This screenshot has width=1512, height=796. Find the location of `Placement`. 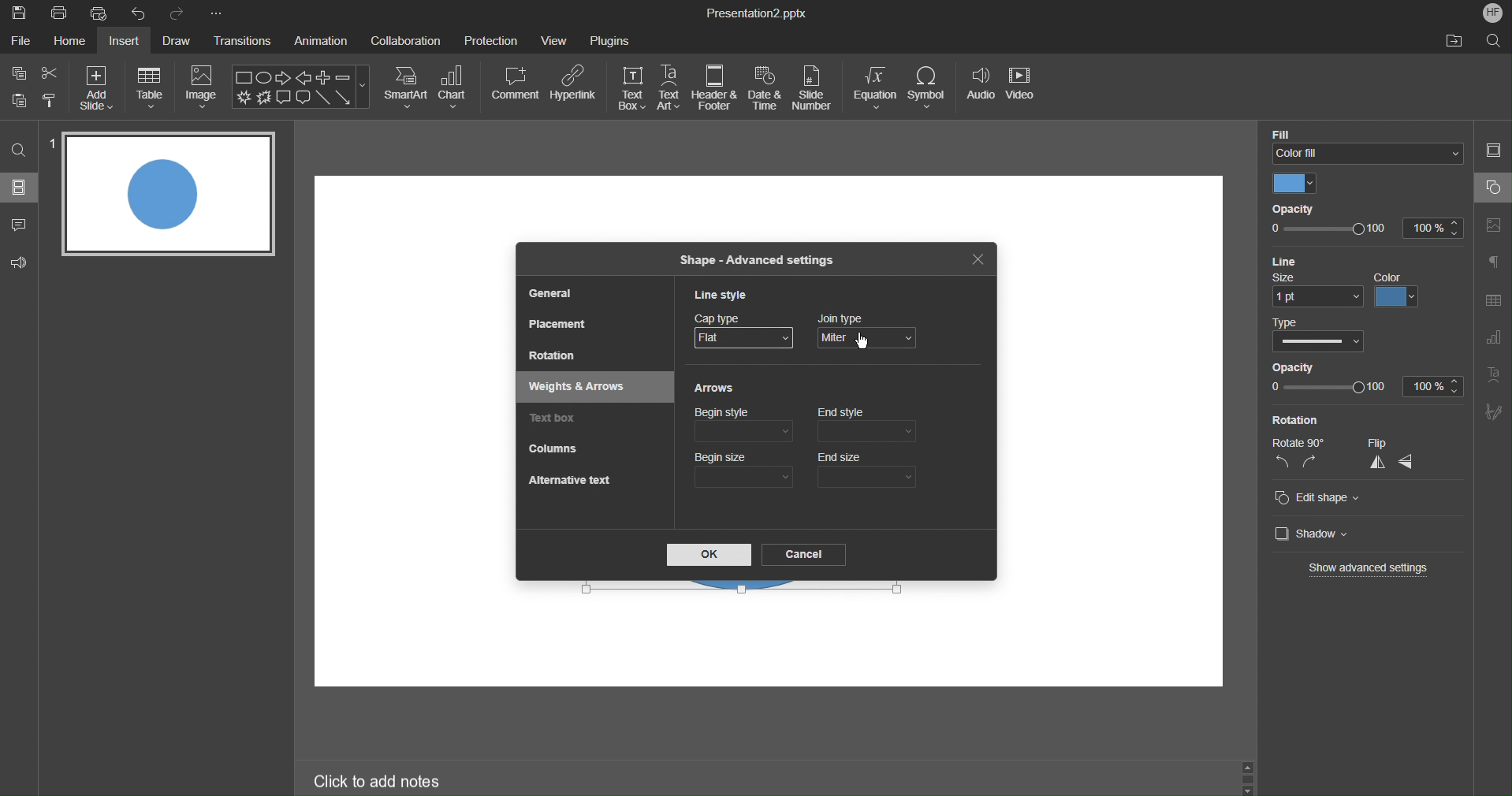

Placement is located at coordinates (555, 322).